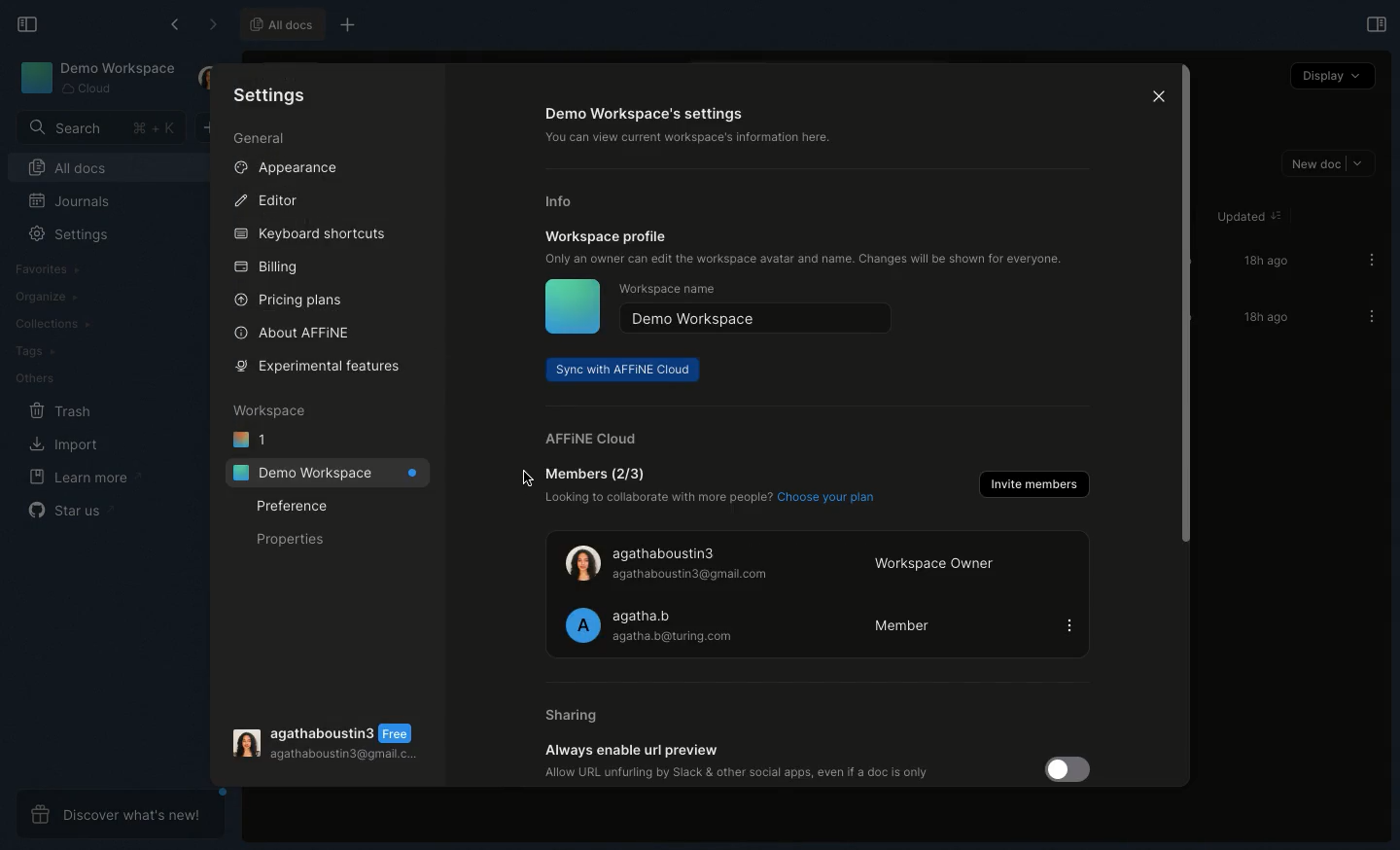  What do you see at coordinates (1364, 260) in the screenshot?
I see `Options` at bounding box center [1364, 260].